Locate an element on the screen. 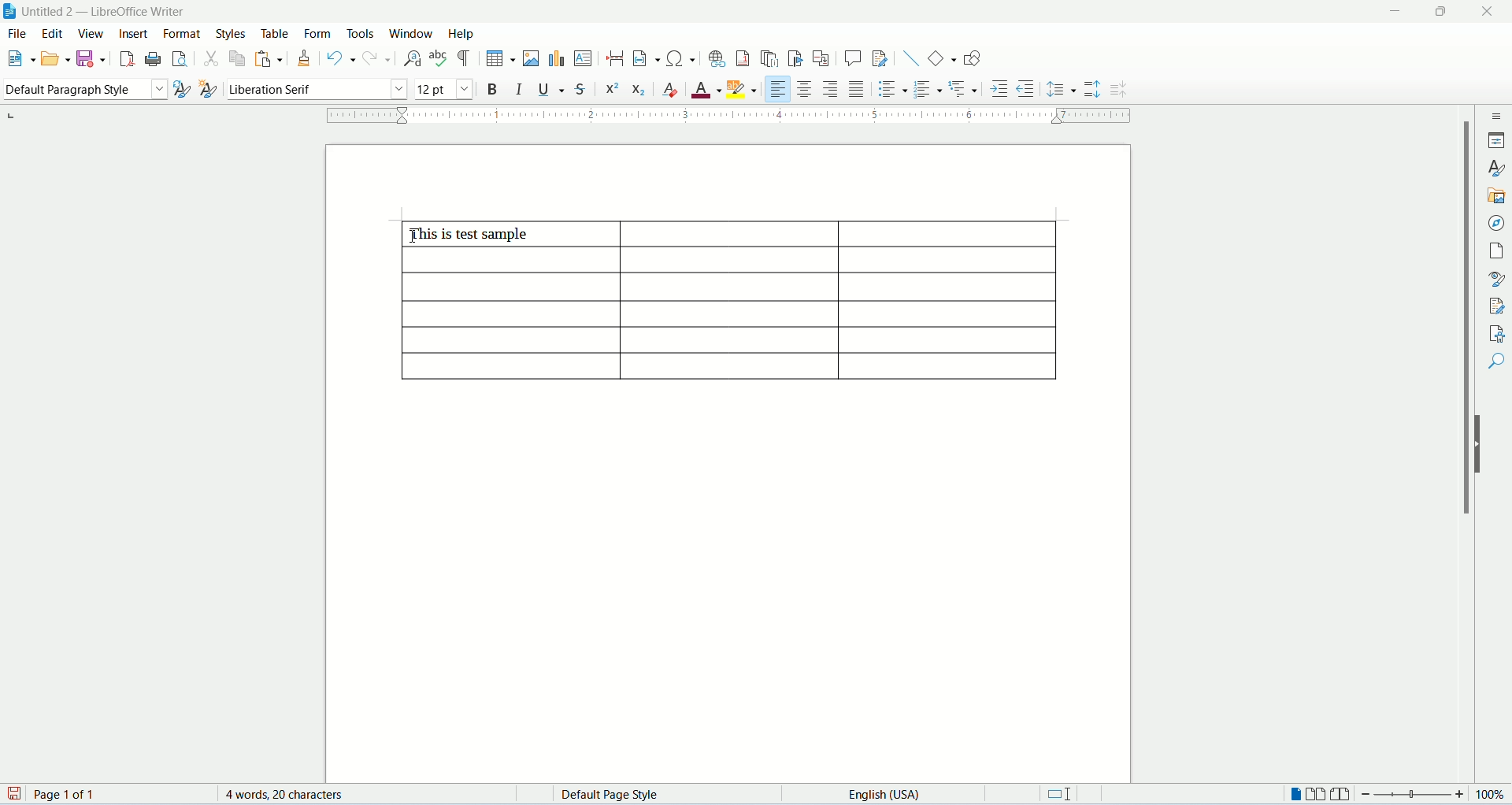 This screenshot has height=805, width=1512. style inspector is located at coordinates (1498, 278).